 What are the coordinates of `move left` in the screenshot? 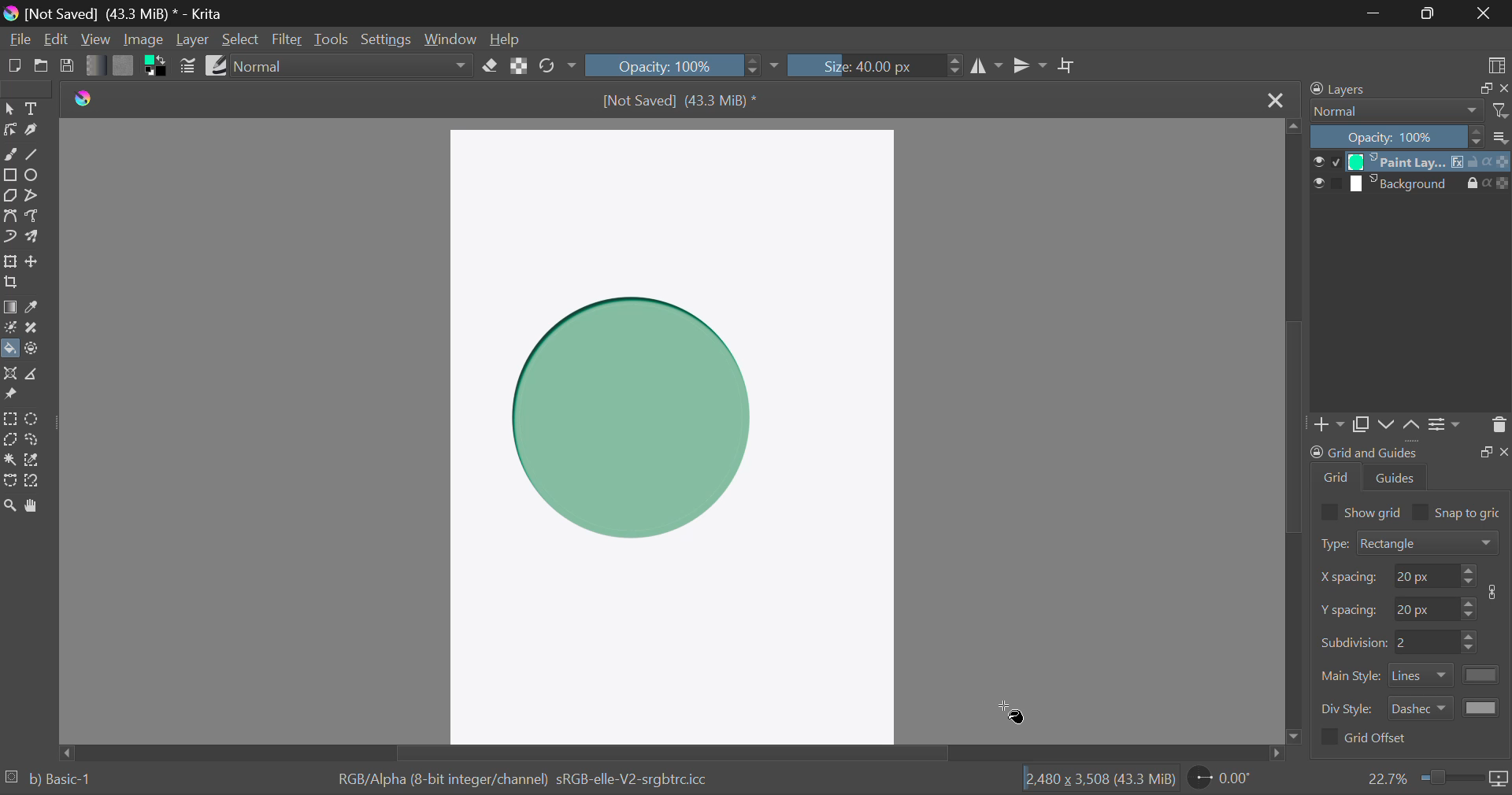 It's located at (66, 751).